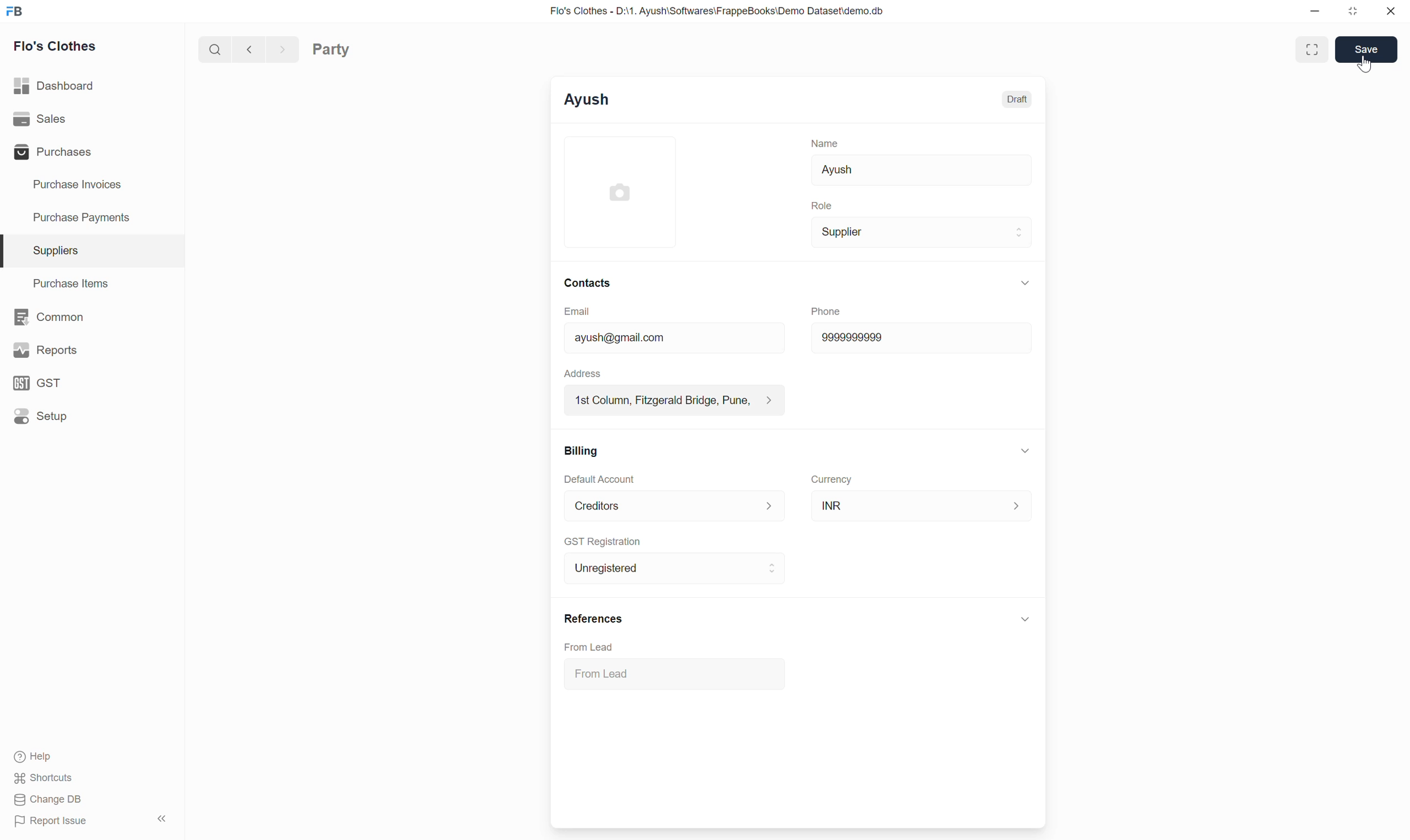 Image resolution: width=1410 pixels, height=840 pixels. What do you see at coordinates (583, 373) in the screenshot?
I see `Address` at bounding box center [583, 373].